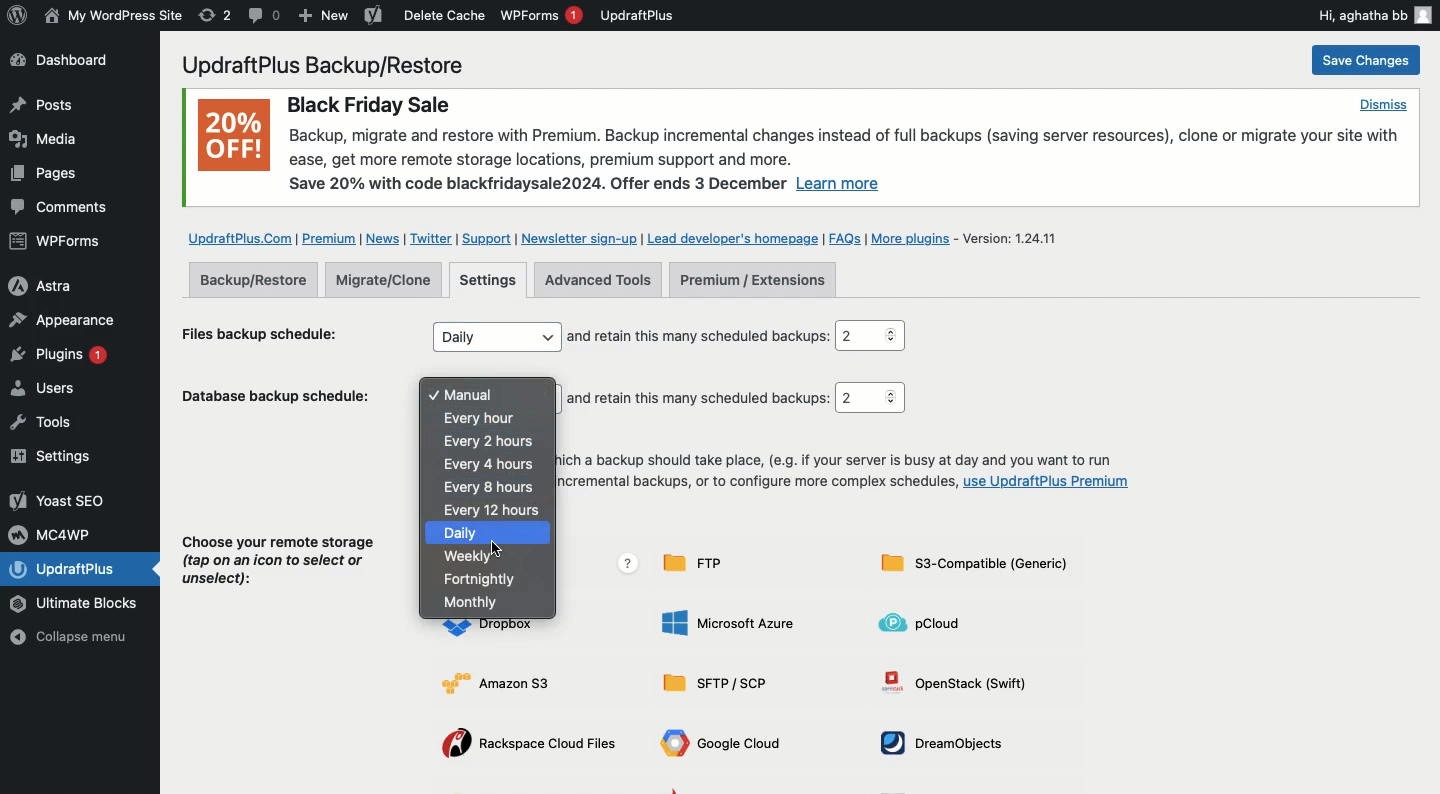 This screenshot has height=794, width=1440. I want to click on Files backup schedule, so click(269, 332).